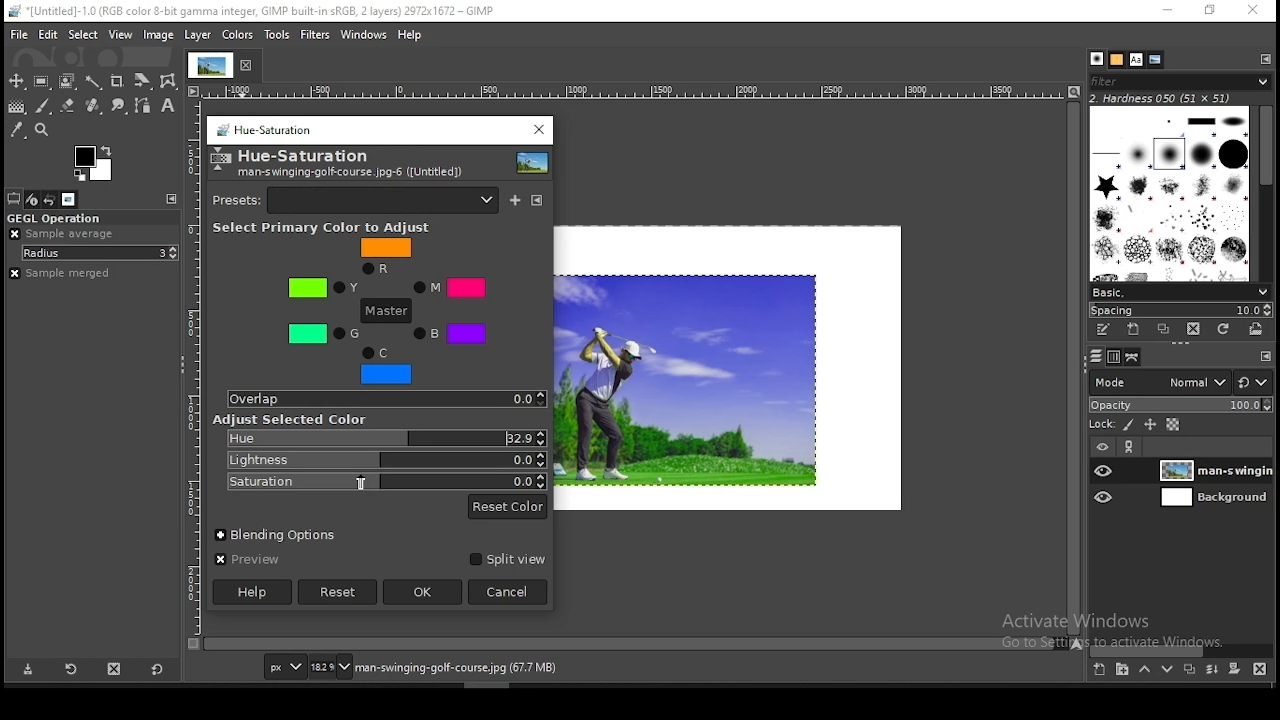  Describe the element at coordinates (1255, 11) in the screenshot. I see `close window` at that location.